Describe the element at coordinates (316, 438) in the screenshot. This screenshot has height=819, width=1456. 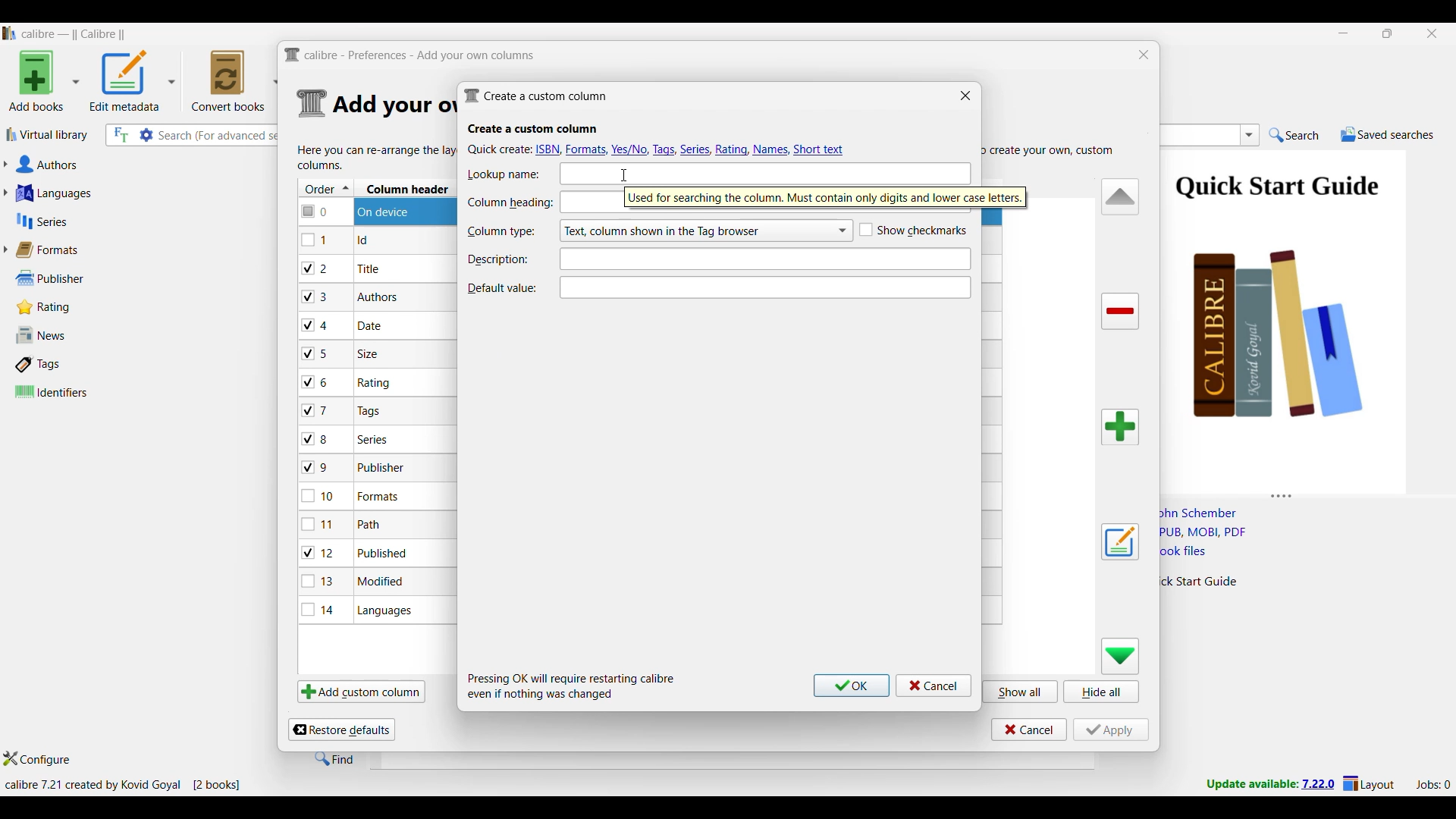
I see `checkbox - 8` at that location.